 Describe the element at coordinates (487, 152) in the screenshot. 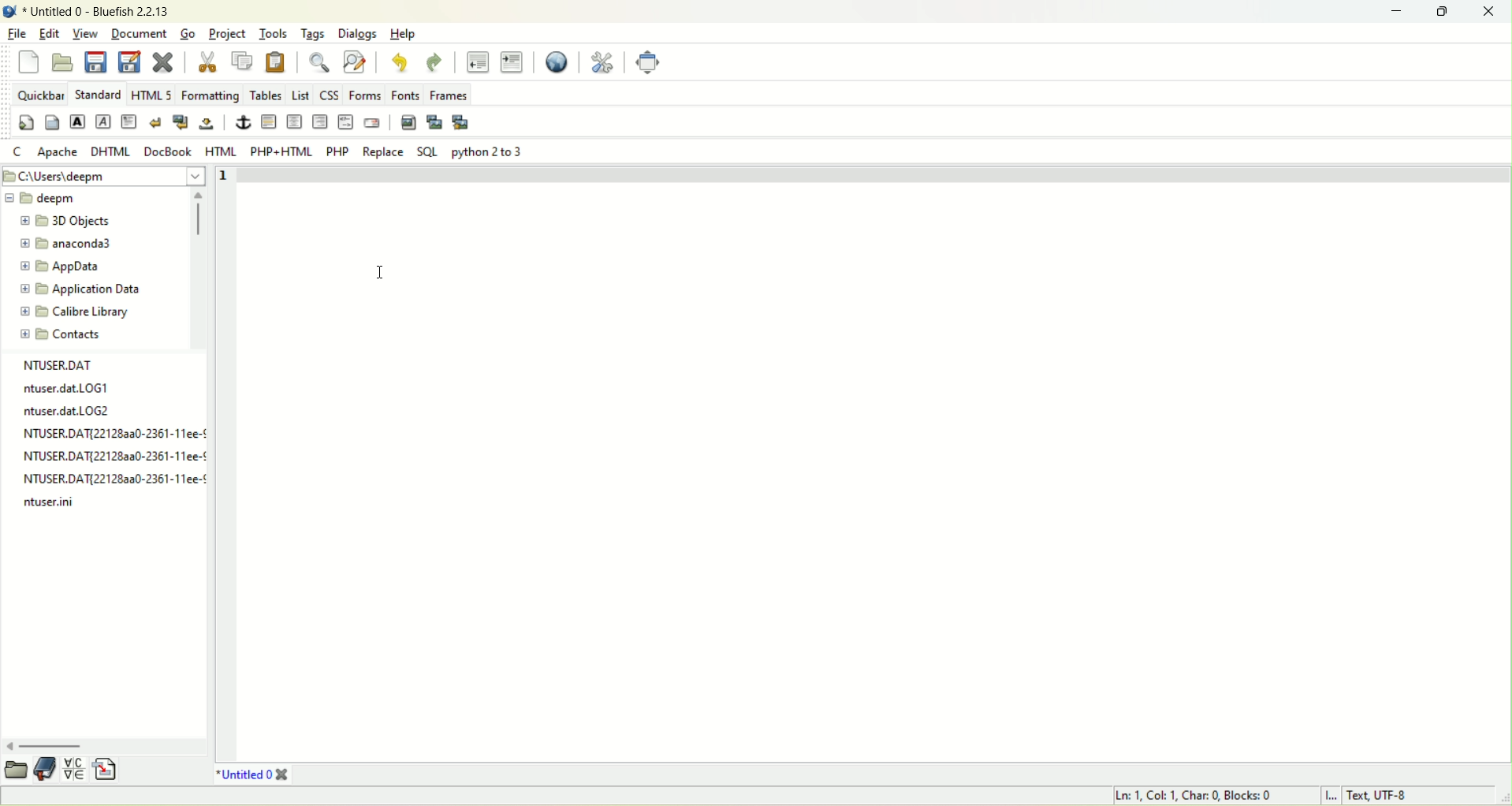

I see `python 2 to 3` at that location.